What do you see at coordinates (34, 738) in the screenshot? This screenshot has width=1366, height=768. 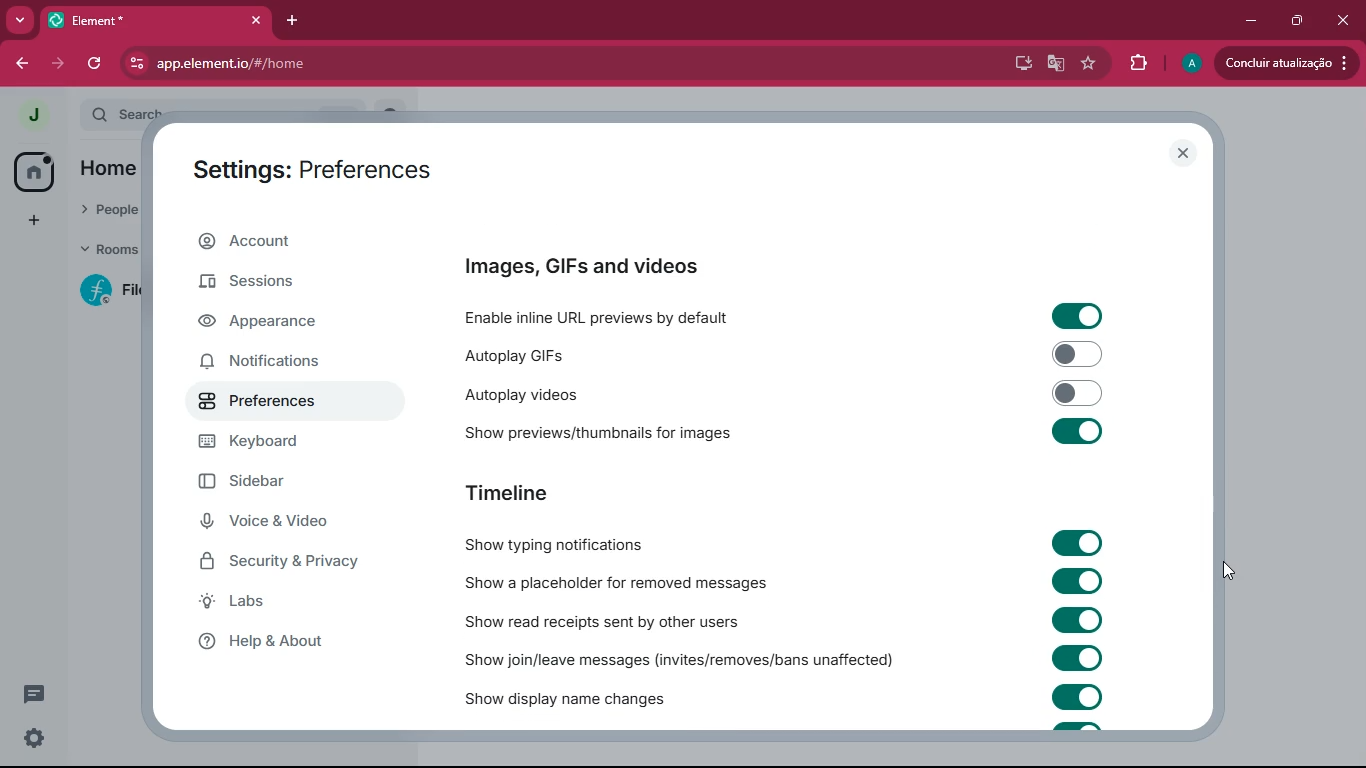 I see `quick settings` at bounding box center [34, 738].